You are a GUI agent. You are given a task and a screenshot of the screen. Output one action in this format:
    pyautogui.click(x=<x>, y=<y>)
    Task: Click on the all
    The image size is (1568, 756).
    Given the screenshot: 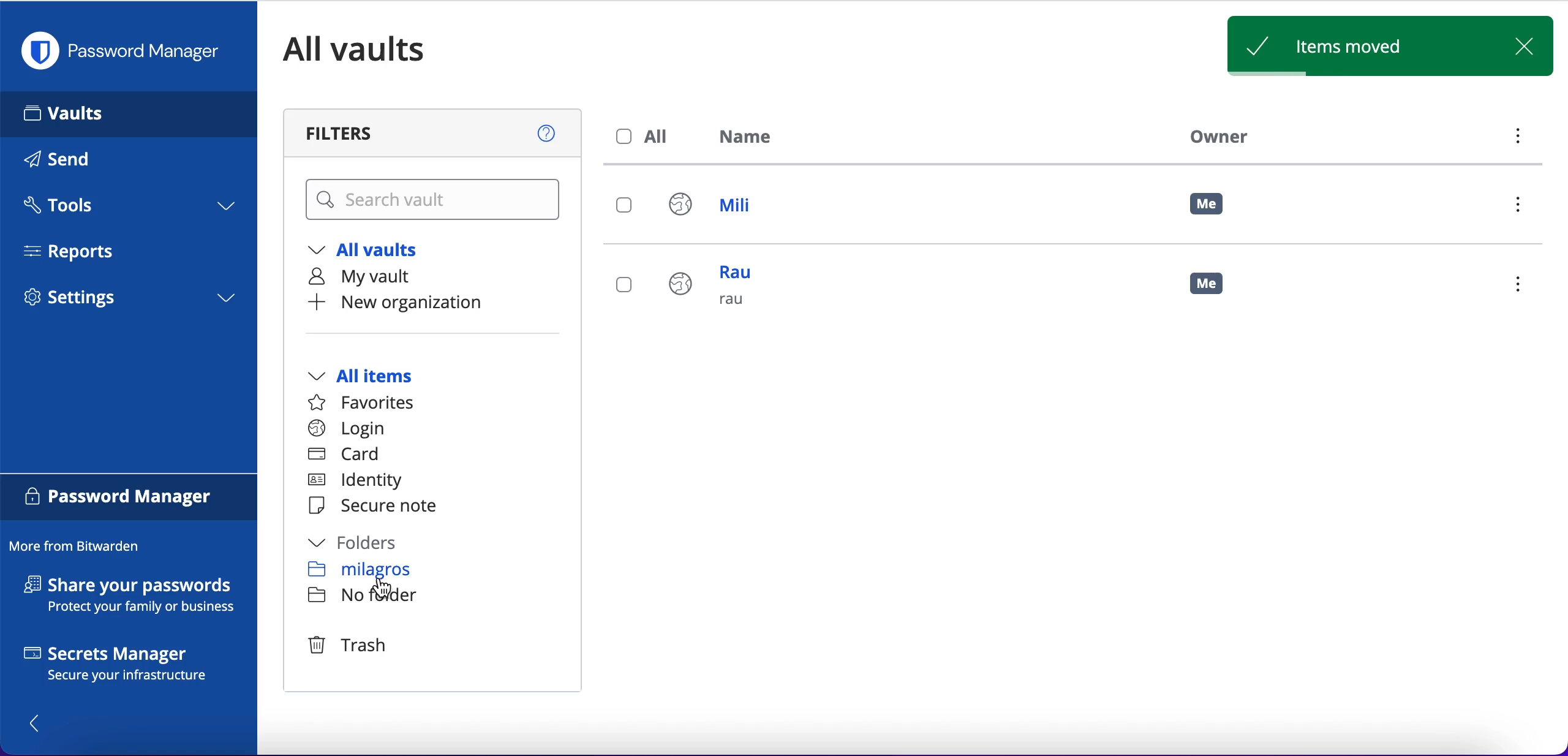 What is the action you would take?
    pyautogui.click(x=646, y=137)
    